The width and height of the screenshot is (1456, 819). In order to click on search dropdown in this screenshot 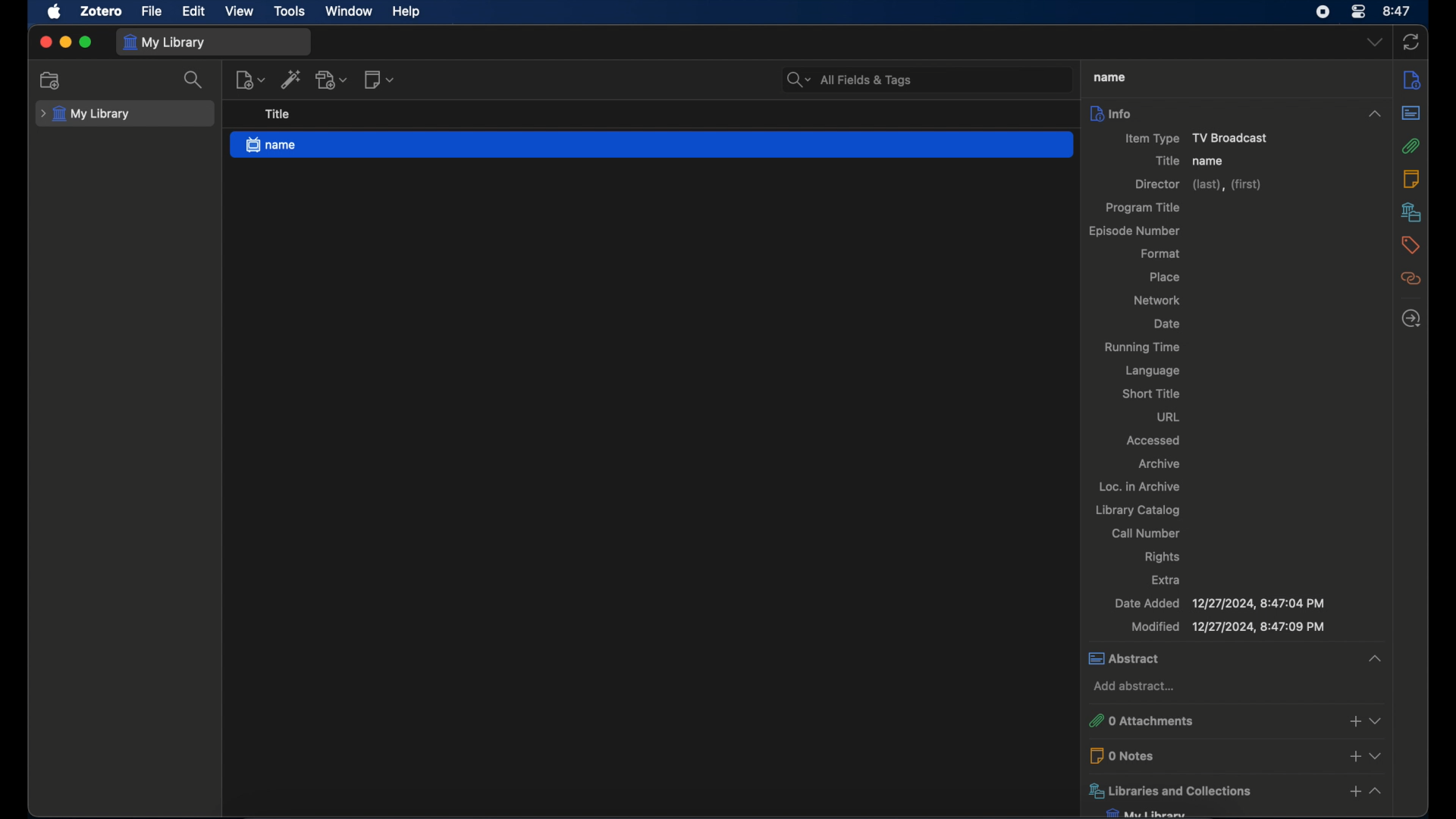, I will do `click(796, 77)`.